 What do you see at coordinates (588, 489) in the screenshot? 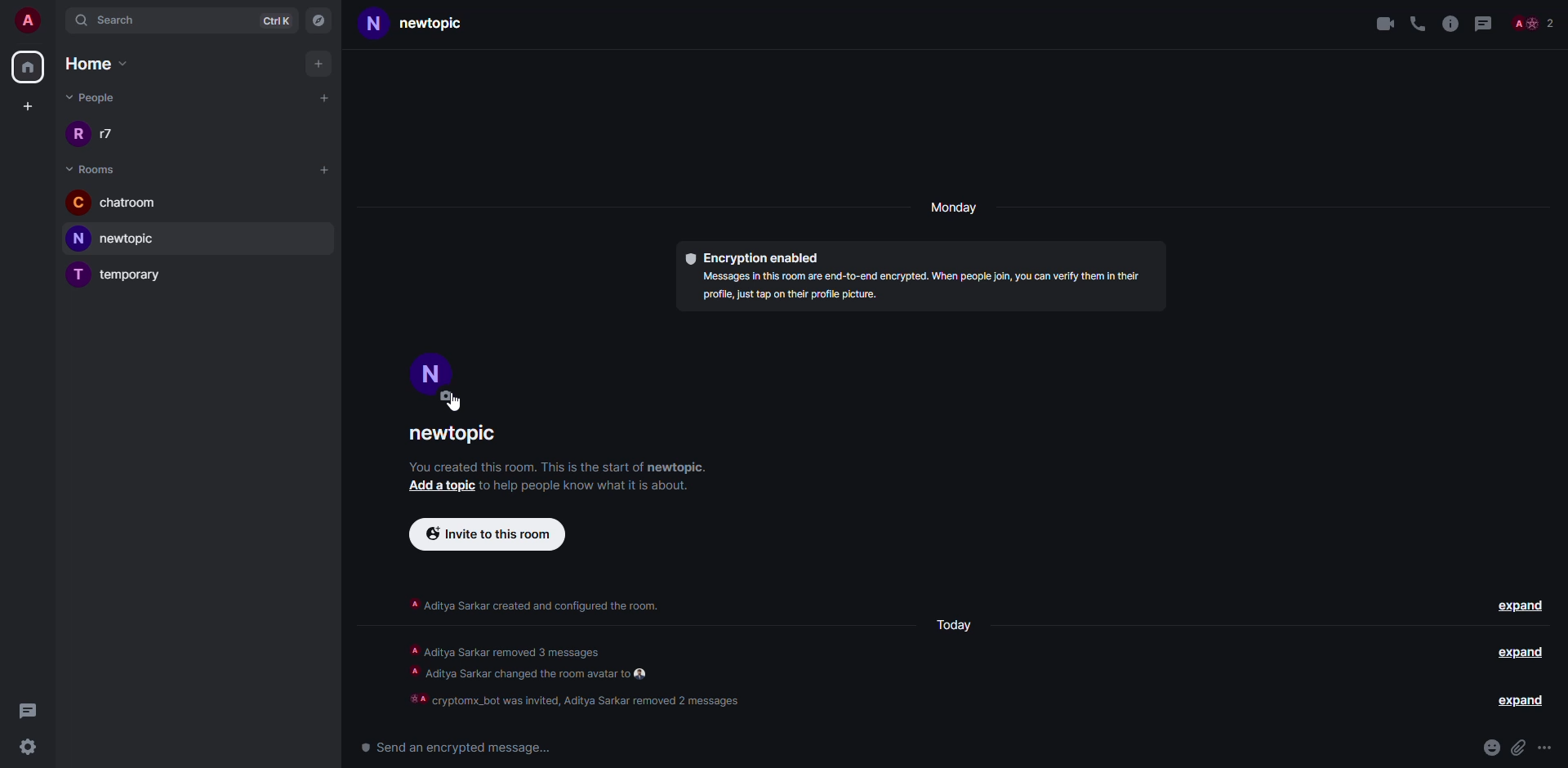
I see `info` at bounding box center [588, 489].